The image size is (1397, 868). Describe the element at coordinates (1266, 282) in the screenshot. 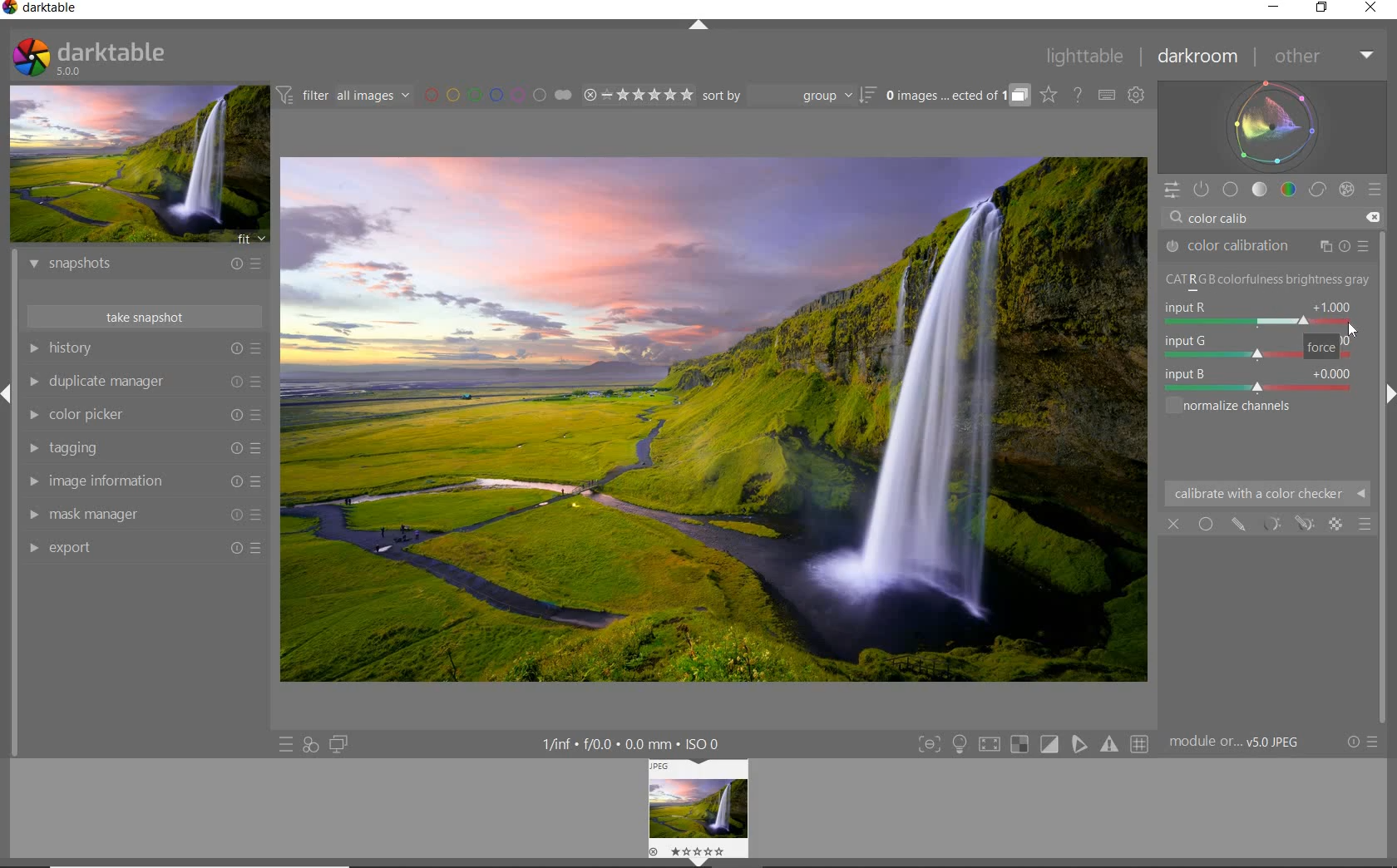

I see `NORMALIZE CHANNELS` at that location.